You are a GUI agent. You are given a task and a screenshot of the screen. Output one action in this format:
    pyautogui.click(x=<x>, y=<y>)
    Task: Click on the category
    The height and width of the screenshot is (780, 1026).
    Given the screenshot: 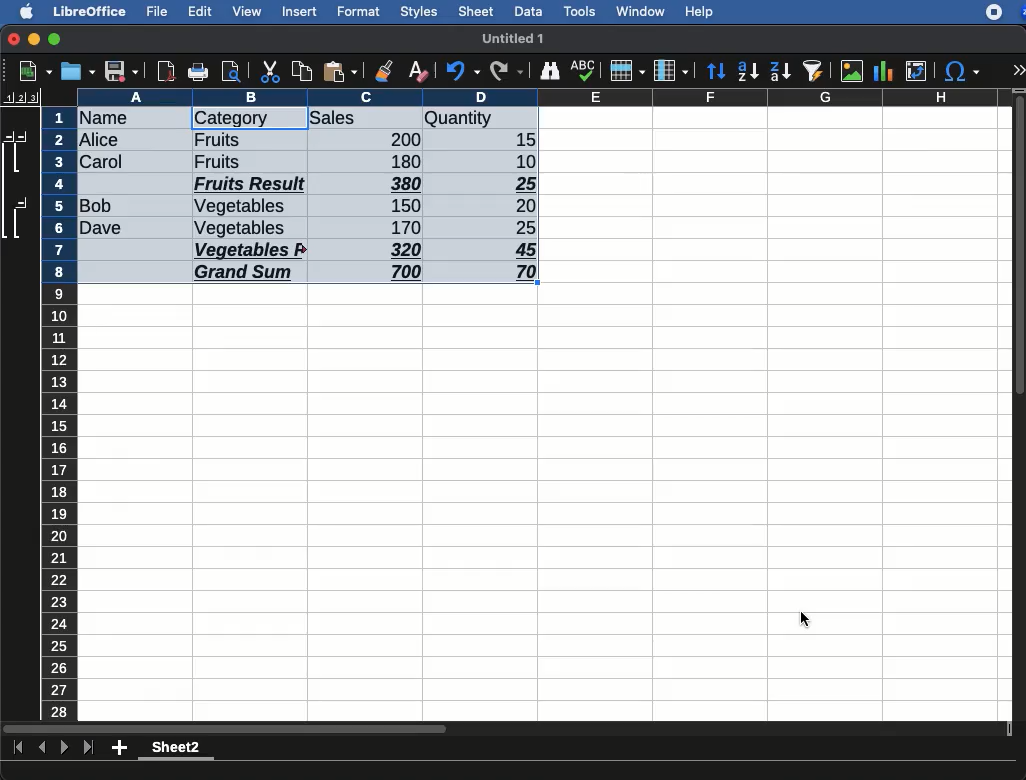 What is the action you would take?
    pyautogui.click(x=233, y=119)
    